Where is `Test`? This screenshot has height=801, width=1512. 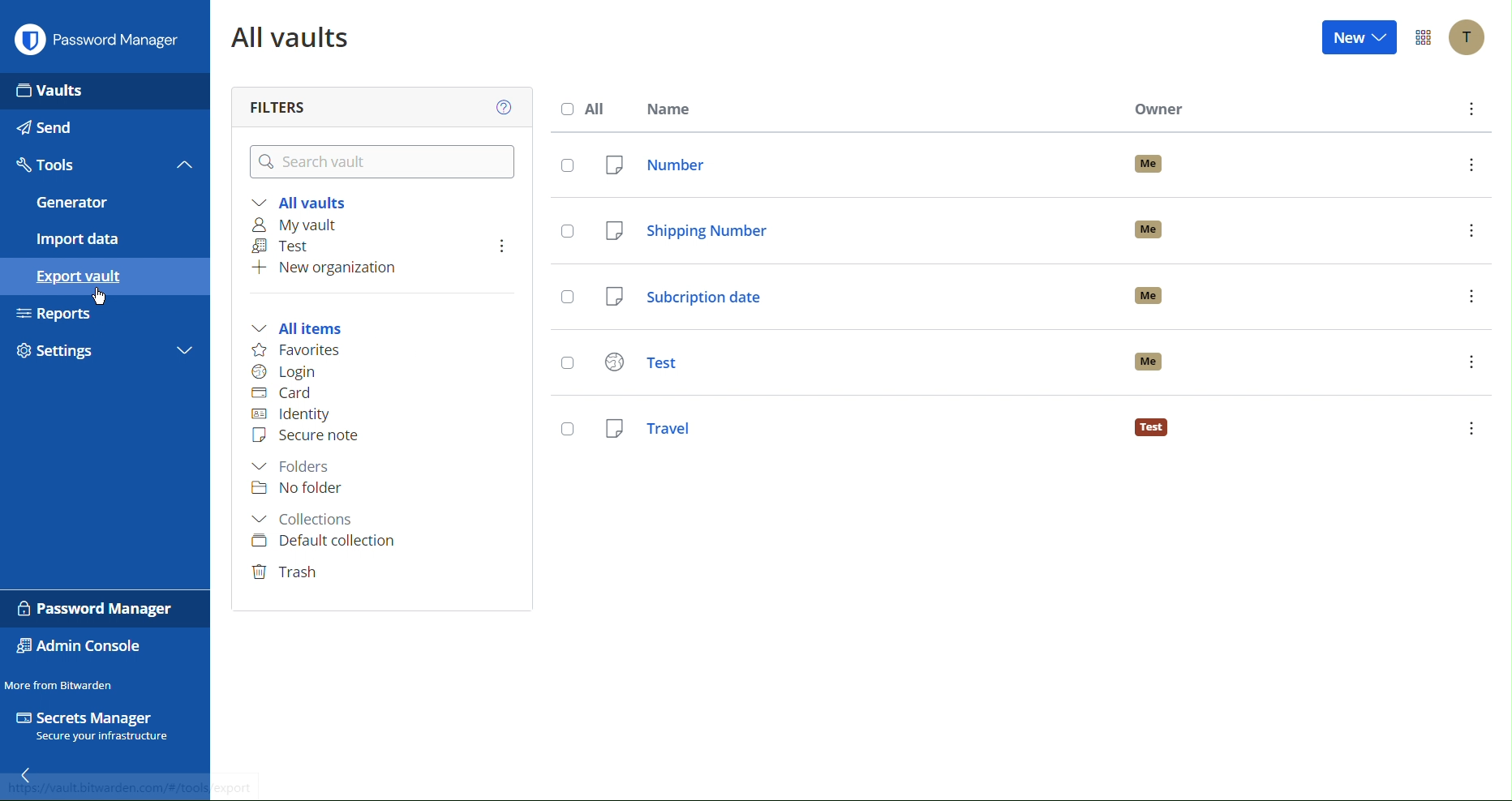
Test is located at coordinates (893, 421).